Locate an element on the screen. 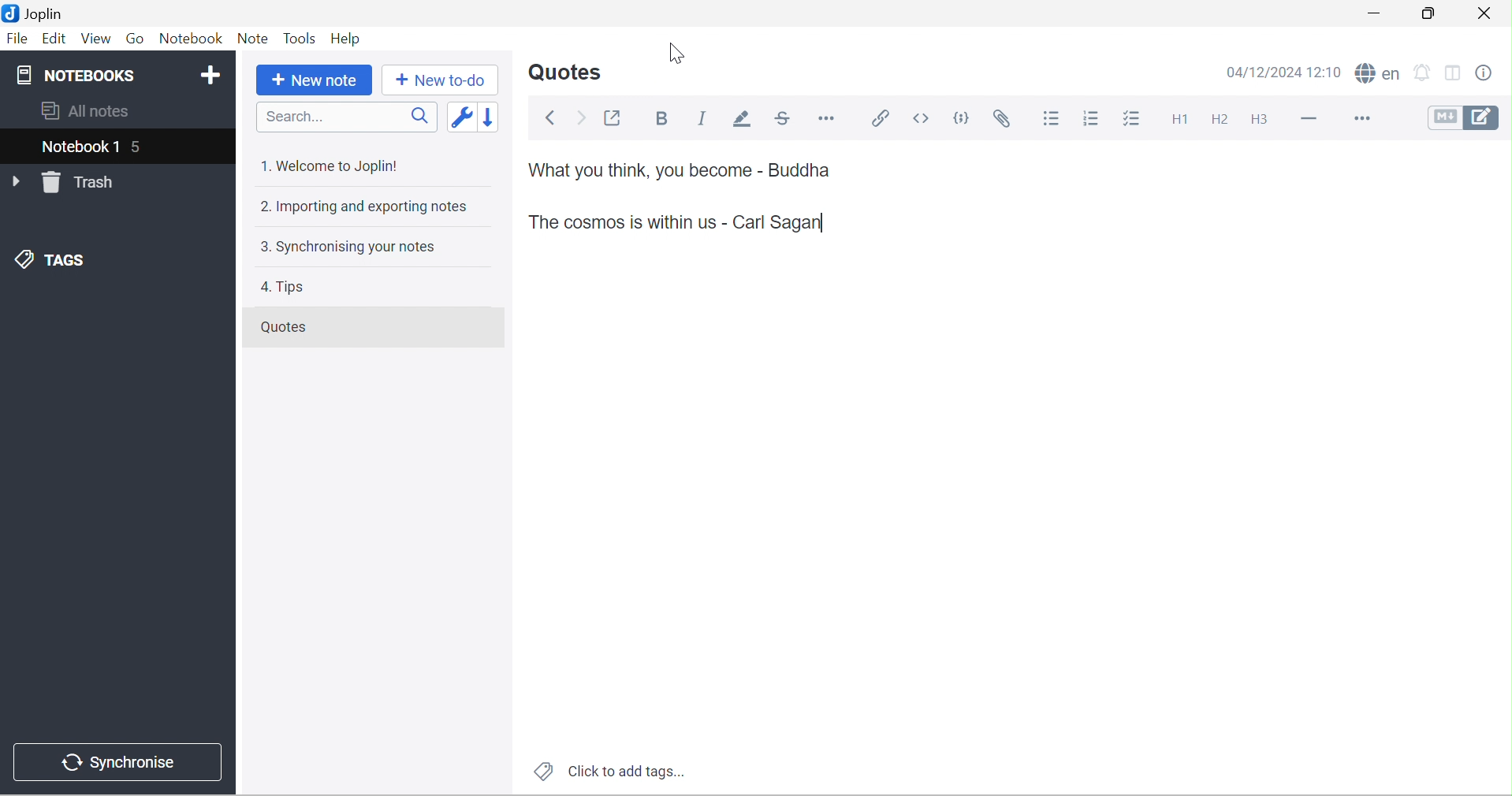 The width and height of the screenshot is (1512, 796). Quotes is located at coordinates (283, 326).